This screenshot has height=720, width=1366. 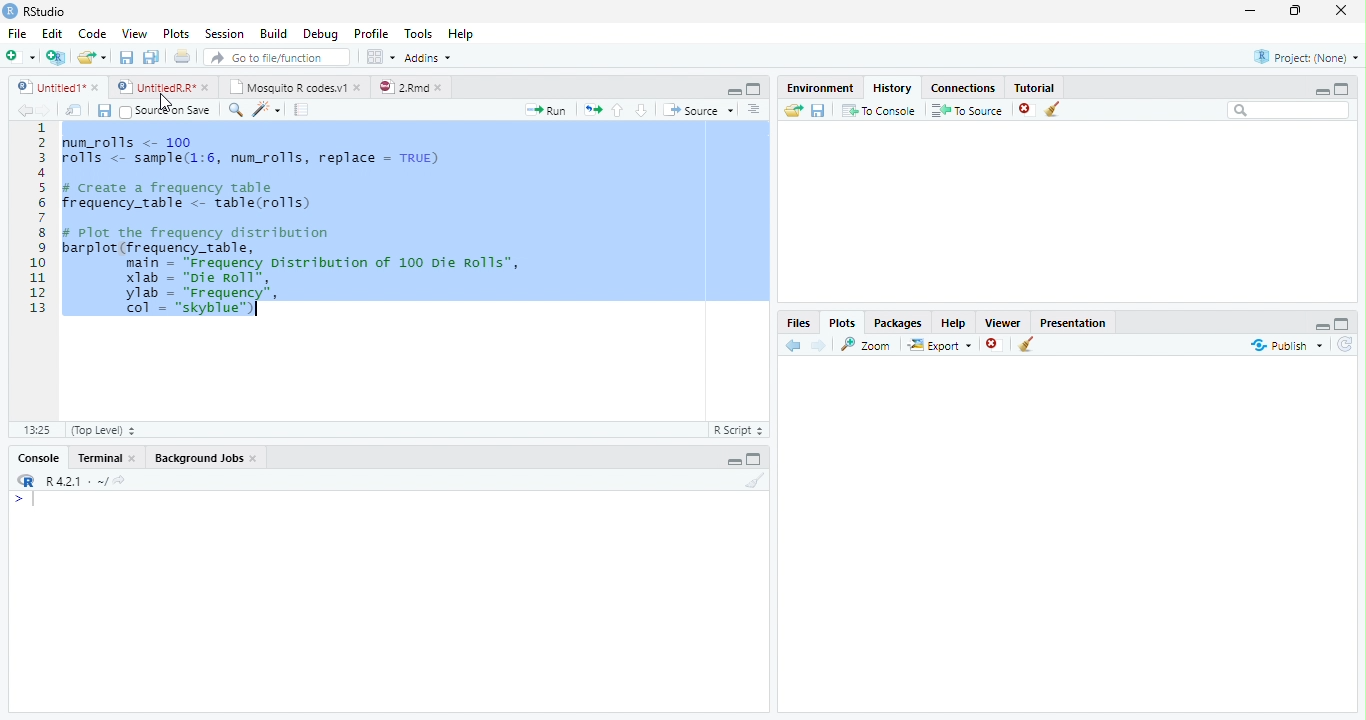 I want to click on Files, so click(x=798, y=321).